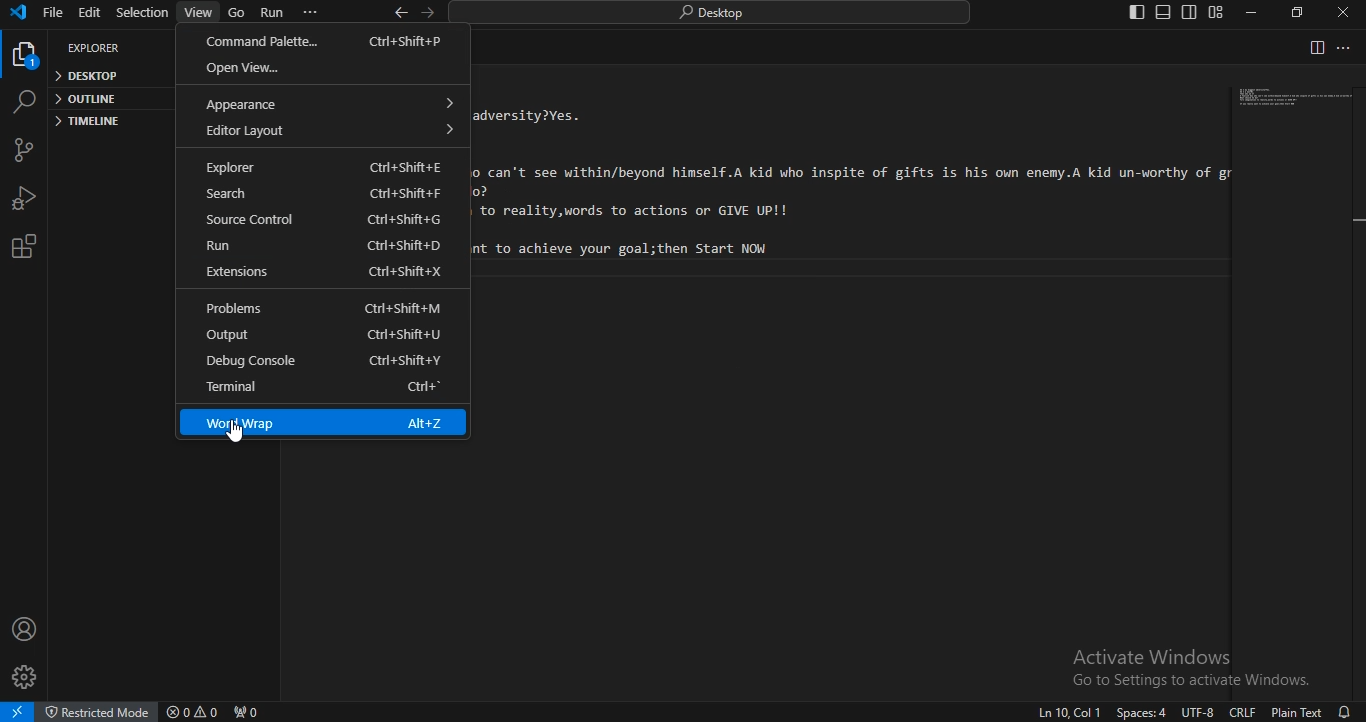  Describe the element at coordinates (335, 101) in the screenshot. I see `appearance` at that location.